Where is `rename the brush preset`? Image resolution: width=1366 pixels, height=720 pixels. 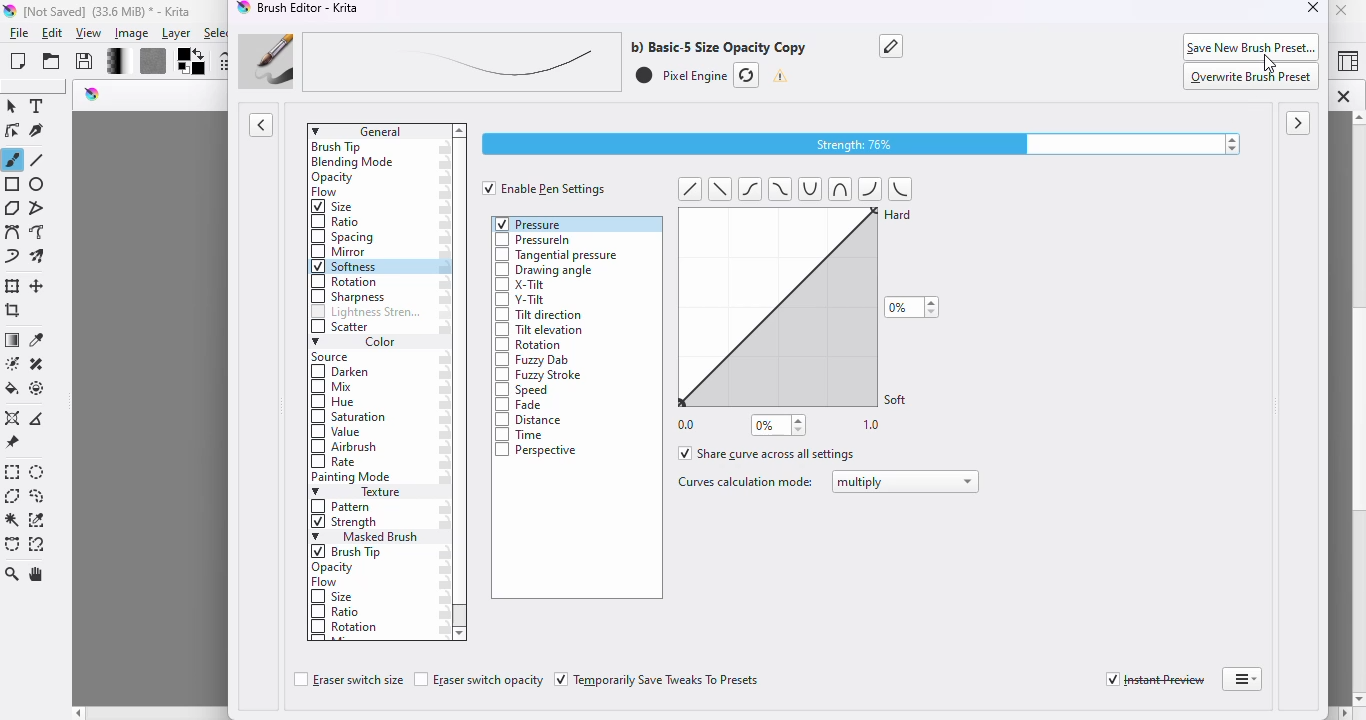
rename the brush preset is located at coordinates (892, 45).